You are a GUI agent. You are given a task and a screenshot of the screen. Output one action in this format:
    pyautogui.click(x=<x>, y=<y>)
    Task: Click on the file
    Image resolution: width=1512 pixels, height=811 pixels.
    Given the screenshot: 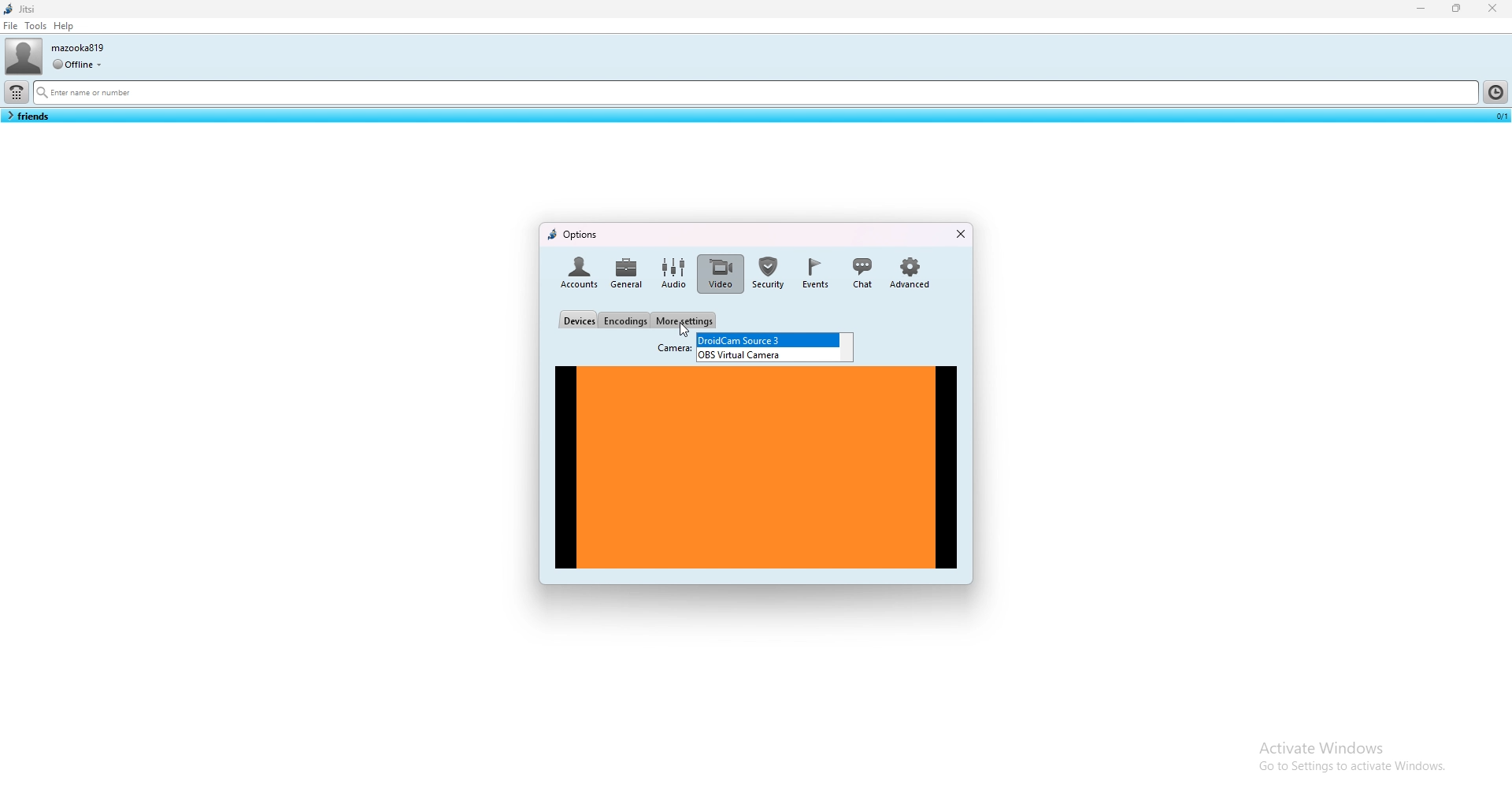 What is the action you would take?
    pyautogui.click(x=11, y=25)
    